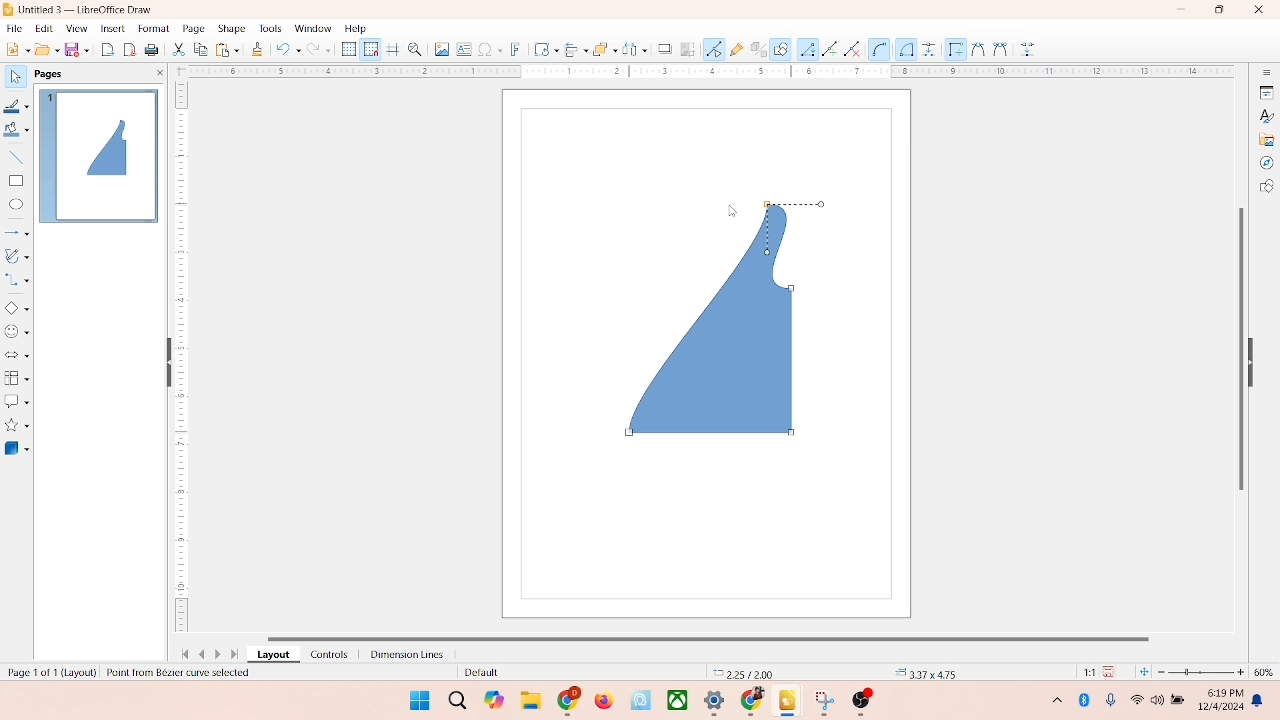  What do you see at coordinates (688, 49) in the screenshot?
I see `crop image` at bounding box center [688, 49].